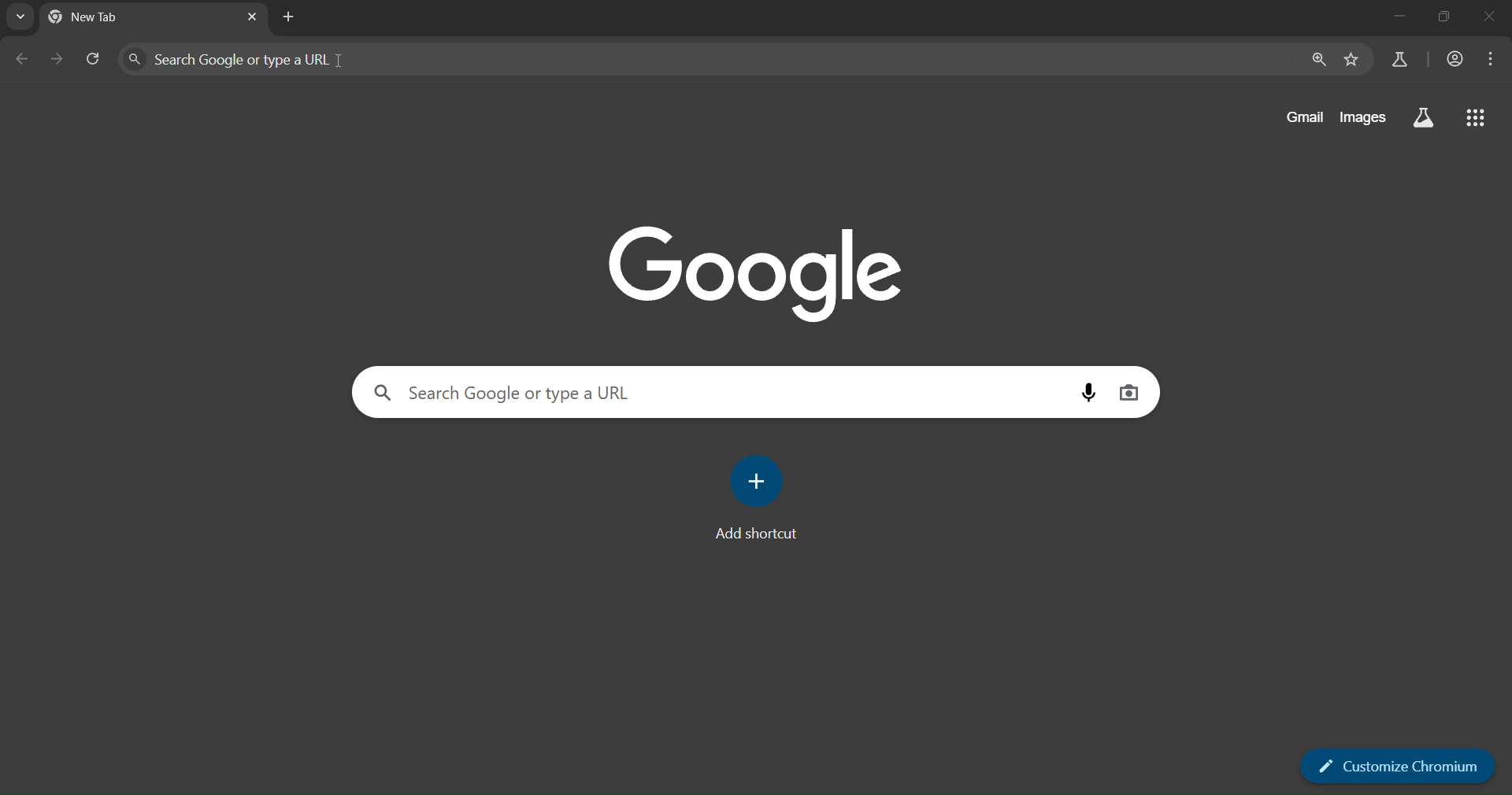 This screenshot has width=1512, height=795. What do you see at coordinates (1320, 60) in the screenshot?
I see `zoom` at bounding box center [1320, 60].